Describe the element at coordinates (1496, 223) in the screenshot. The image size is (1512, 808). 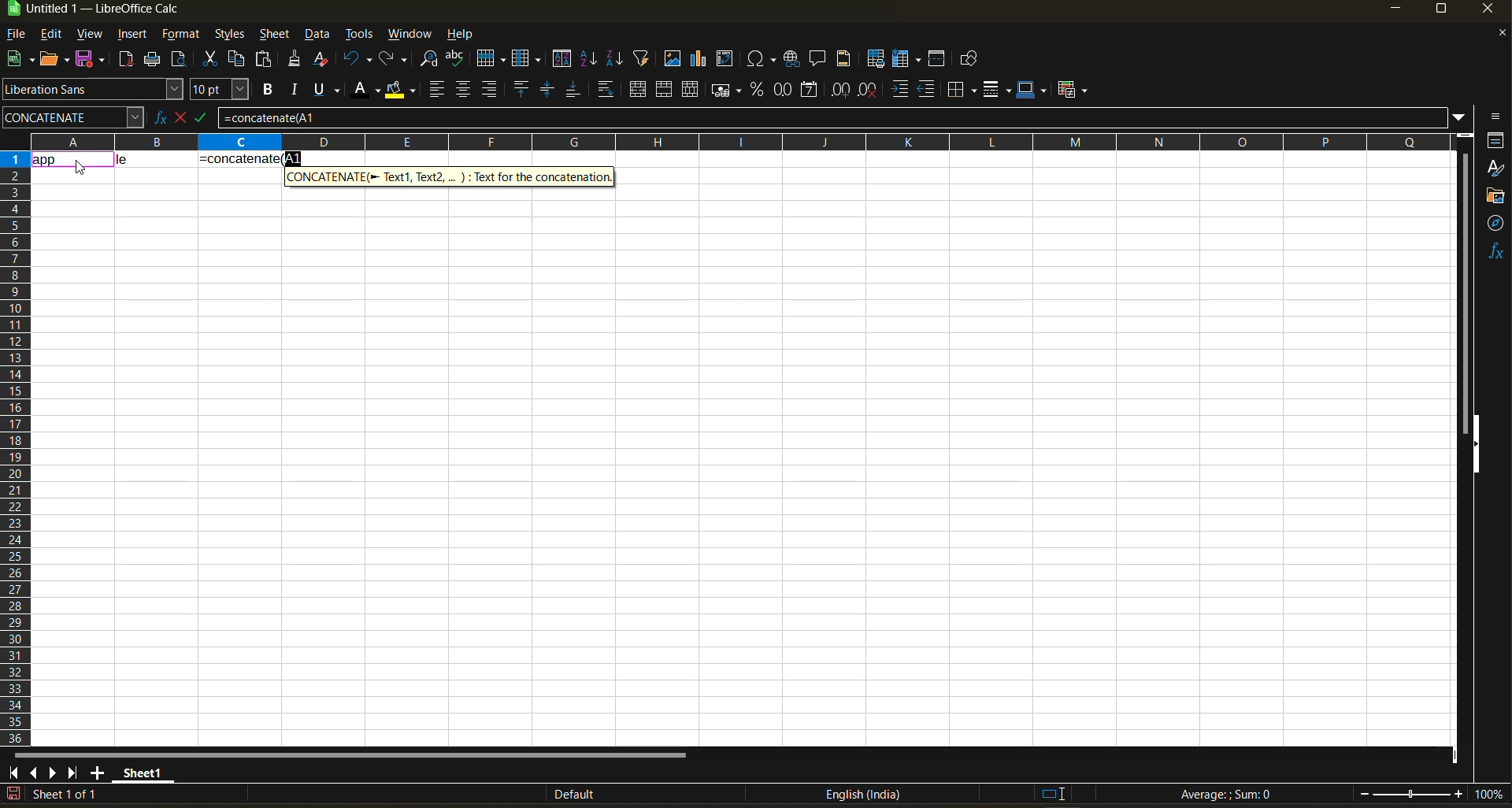
I see `navigator` at that location.